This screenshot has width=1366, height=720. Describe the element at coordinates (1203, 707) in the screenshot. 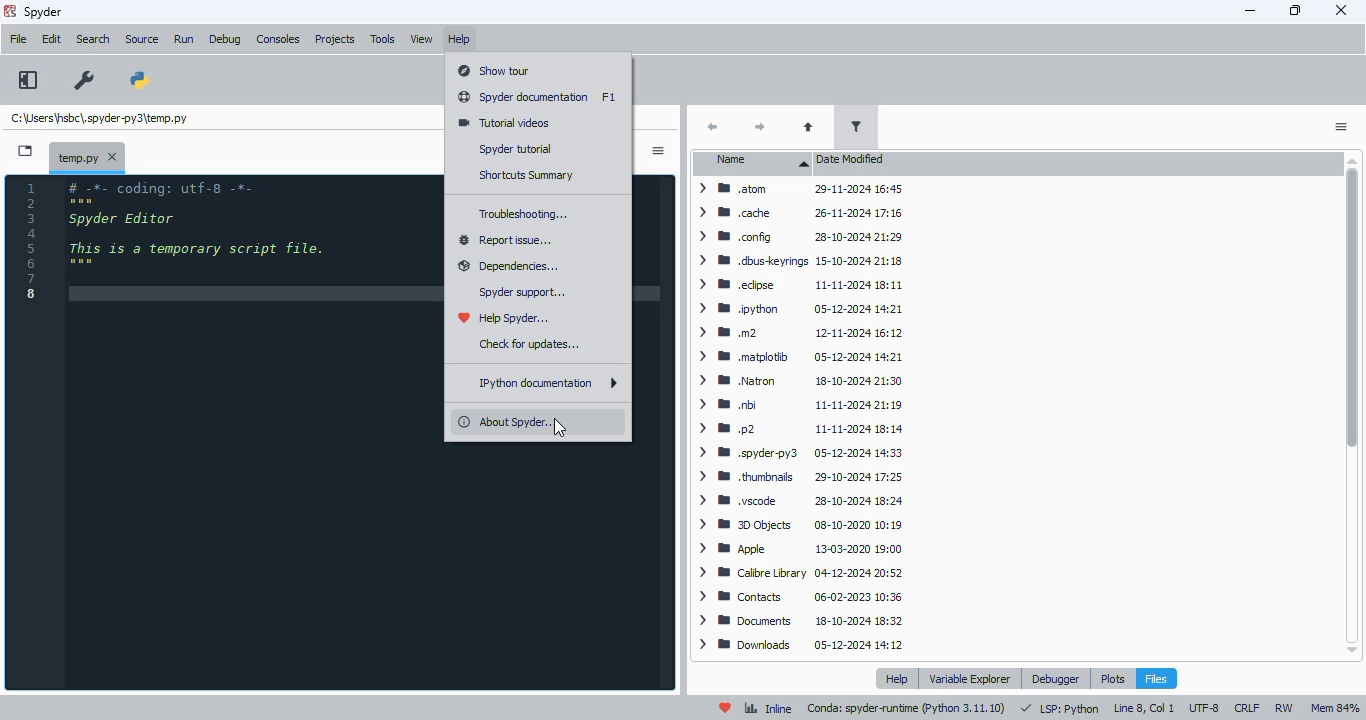

I see `UTF-8` at that location.